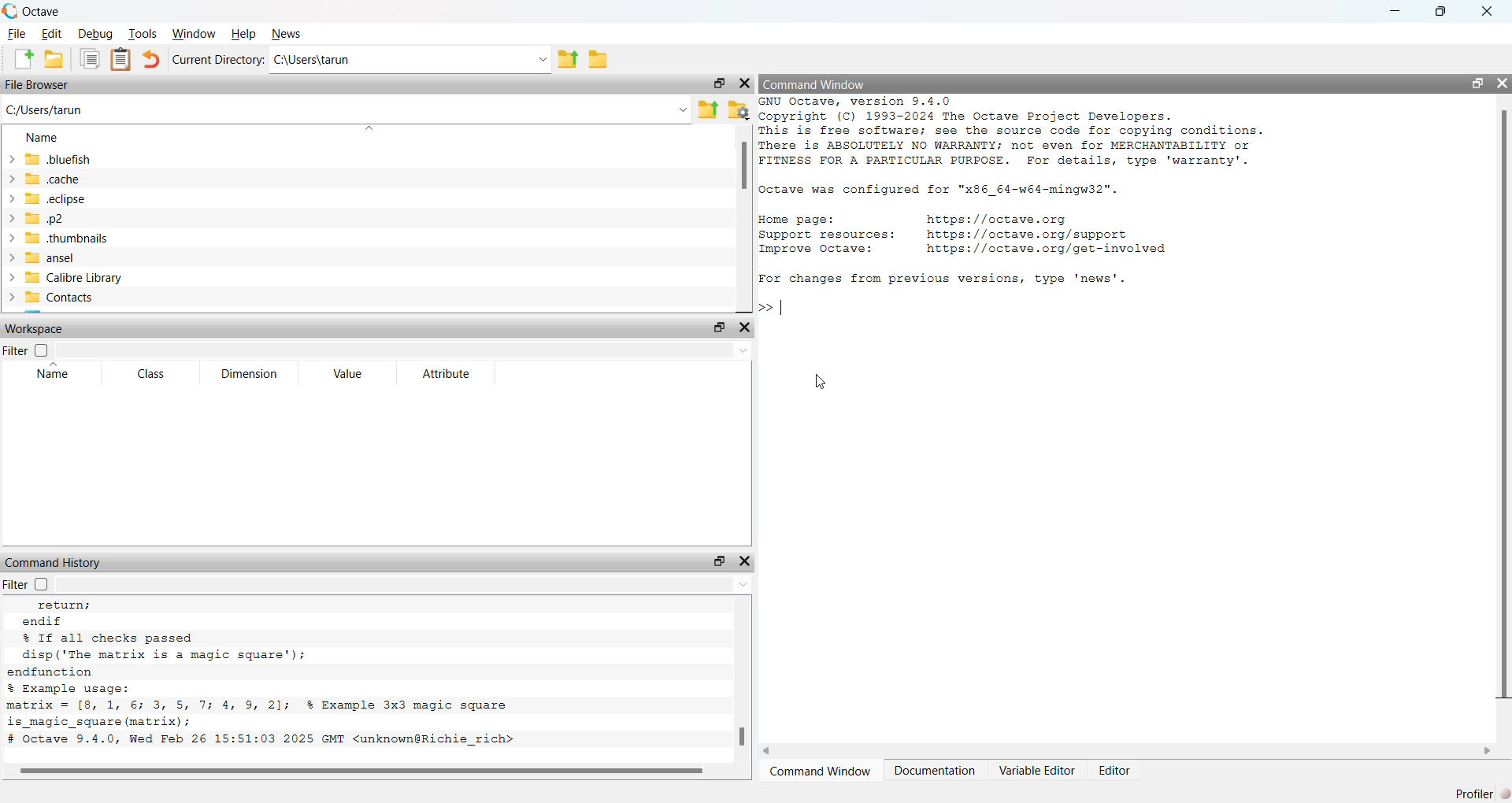  What do you see at coordinates (1503, 83) in the screenshot?
I see `close` at bounding box center [1503, 83].